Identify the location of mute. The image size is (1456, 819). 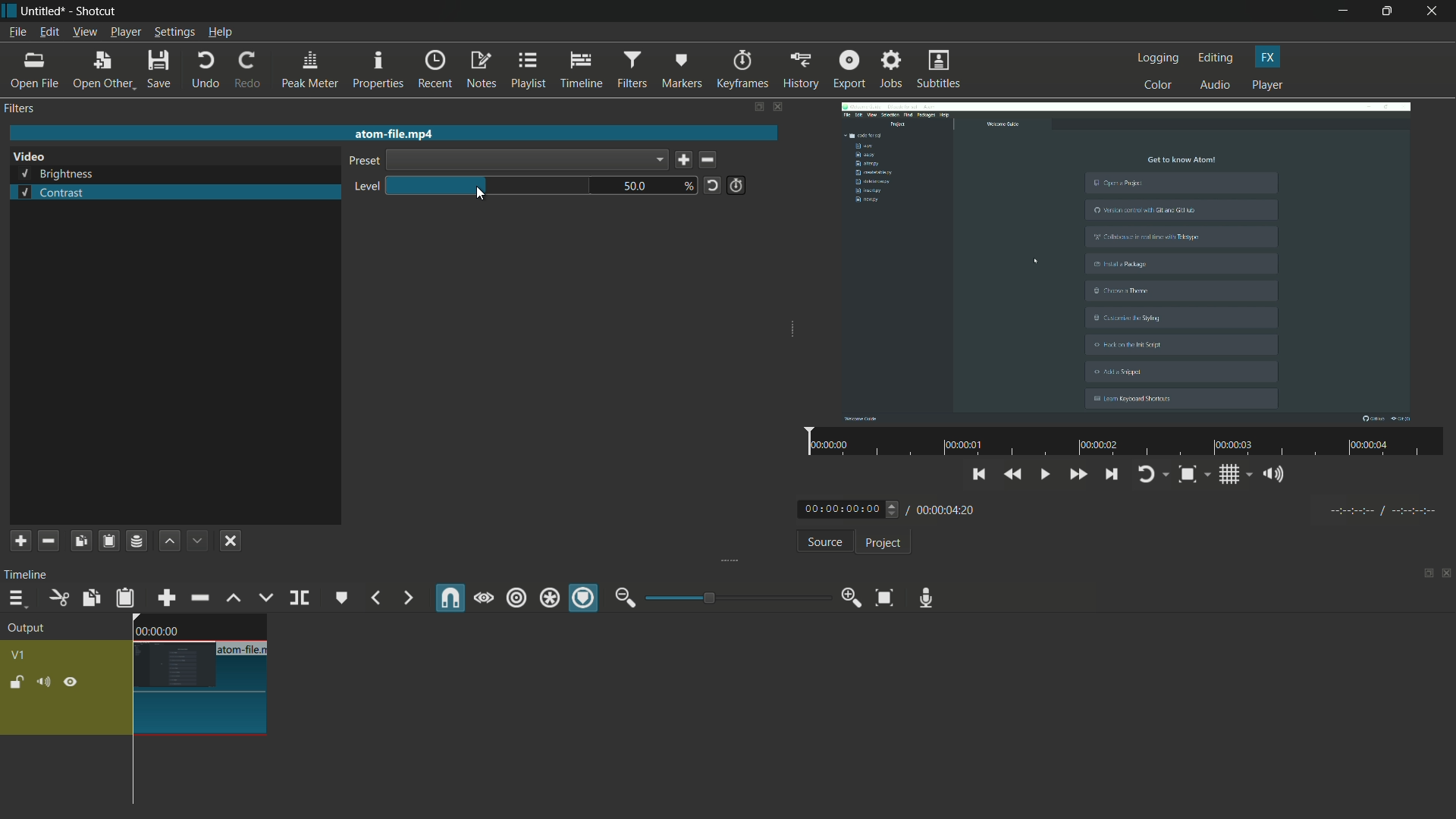
(46, 682).